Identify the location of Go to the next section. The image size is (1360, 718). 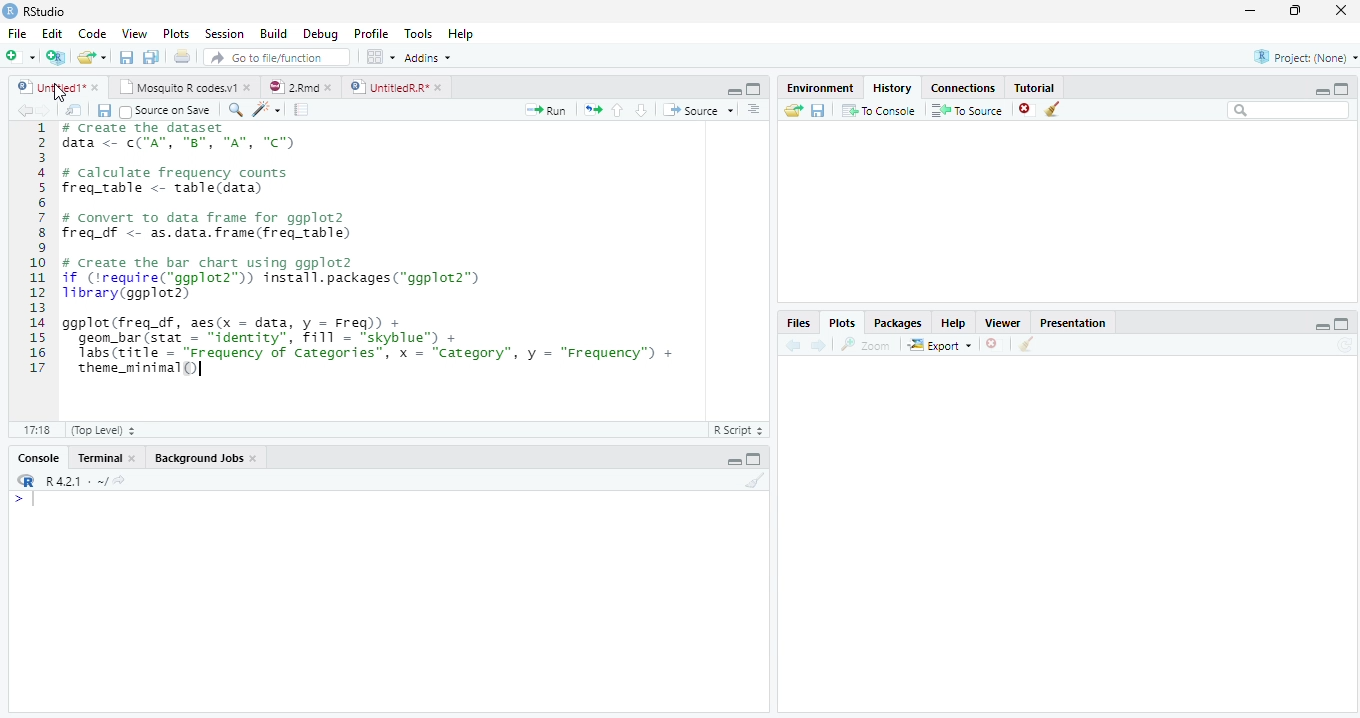
(641, 110).